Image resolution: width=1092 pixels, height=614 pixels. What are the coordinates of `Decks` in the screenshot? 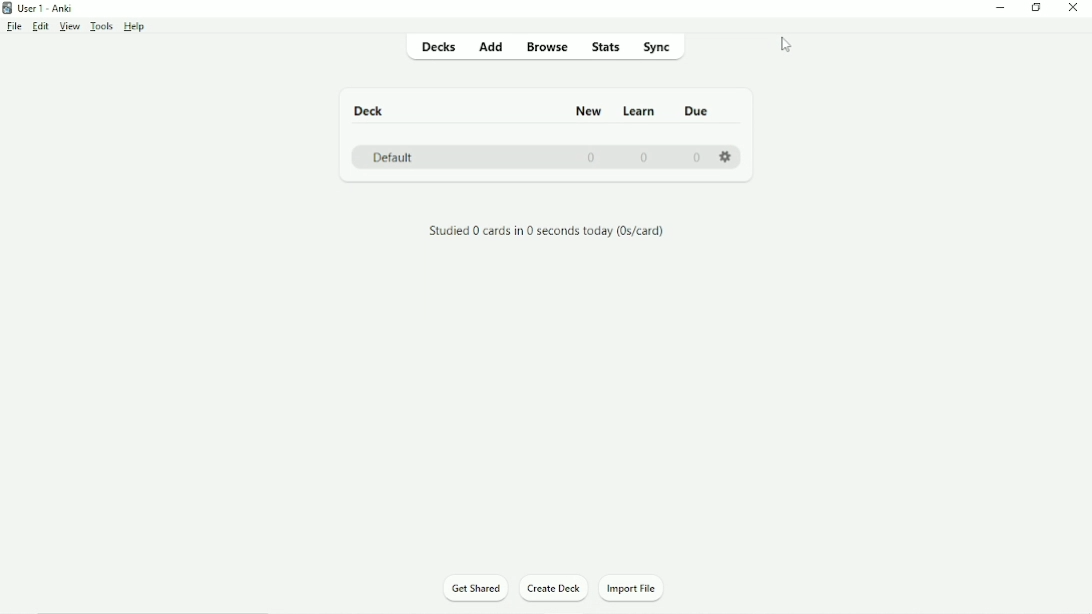 It's located at (436, 47).